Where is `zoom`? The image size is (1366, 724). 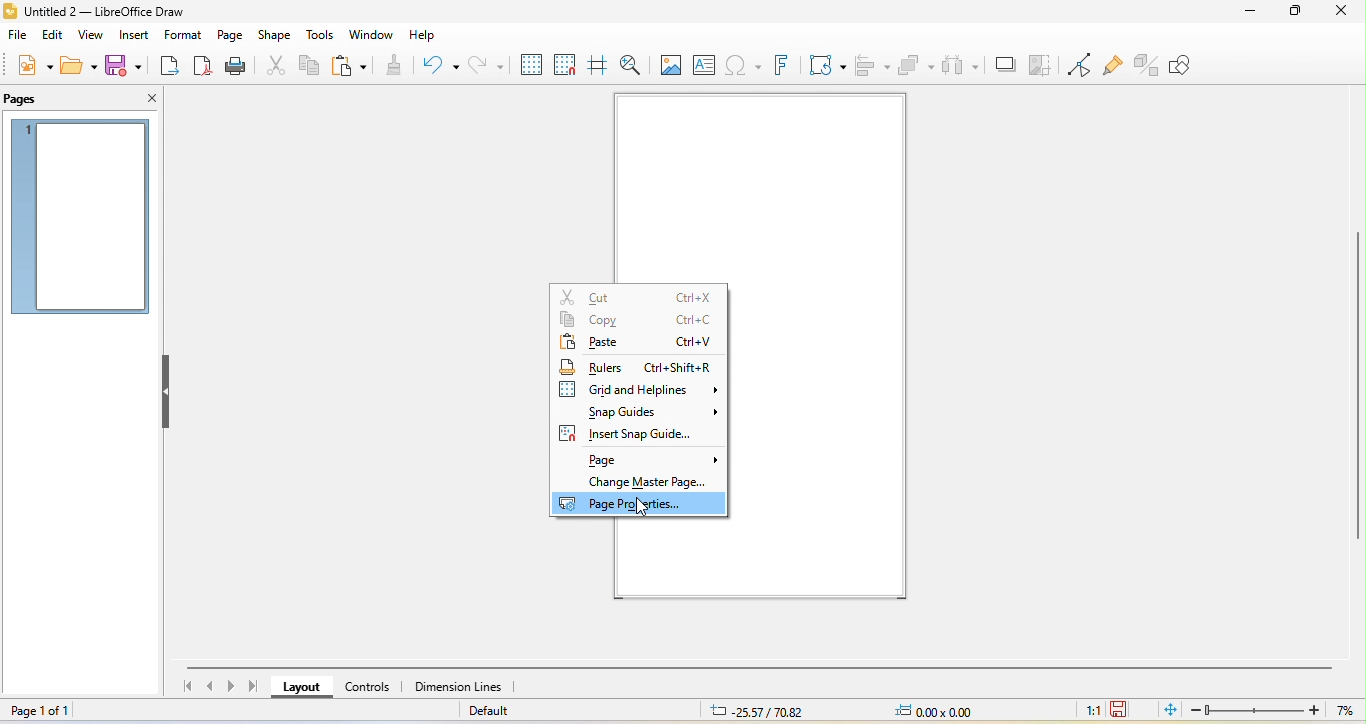
zoom is located at coordinates (1276, 710).